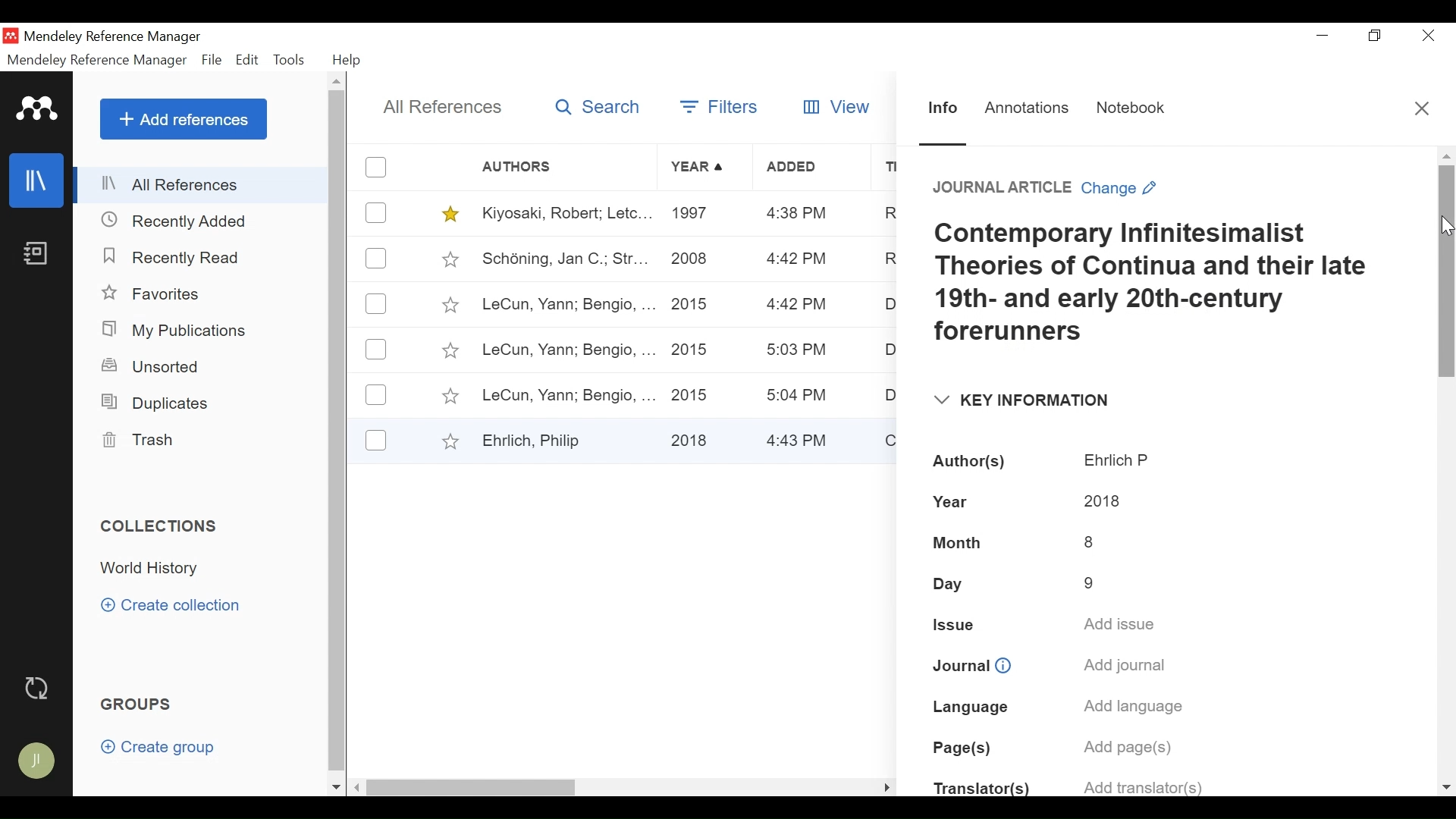  Describe the element at coordinates (1125, 667) in the screenshot. I see `Add journal` at that location.